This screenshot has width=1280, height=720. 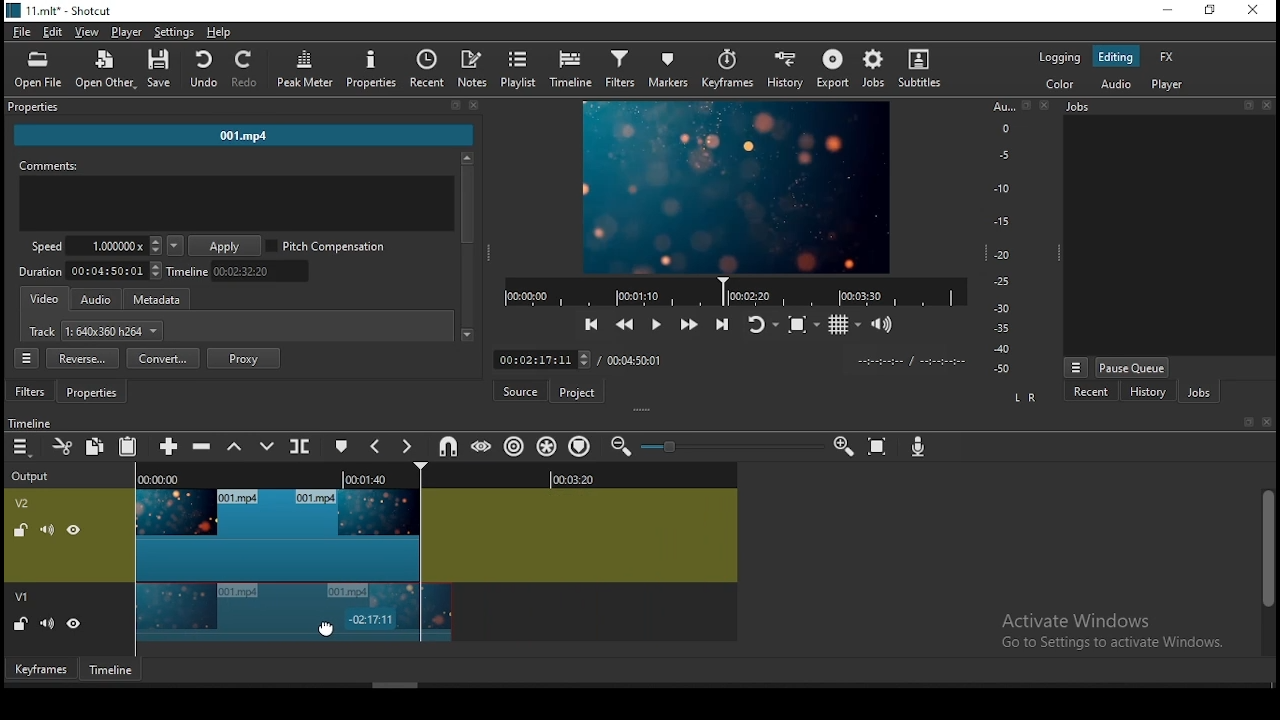 What do you see at coordinates (244, 358) in the screenshot?
I see `proxy` at bounding box center [244, 358].